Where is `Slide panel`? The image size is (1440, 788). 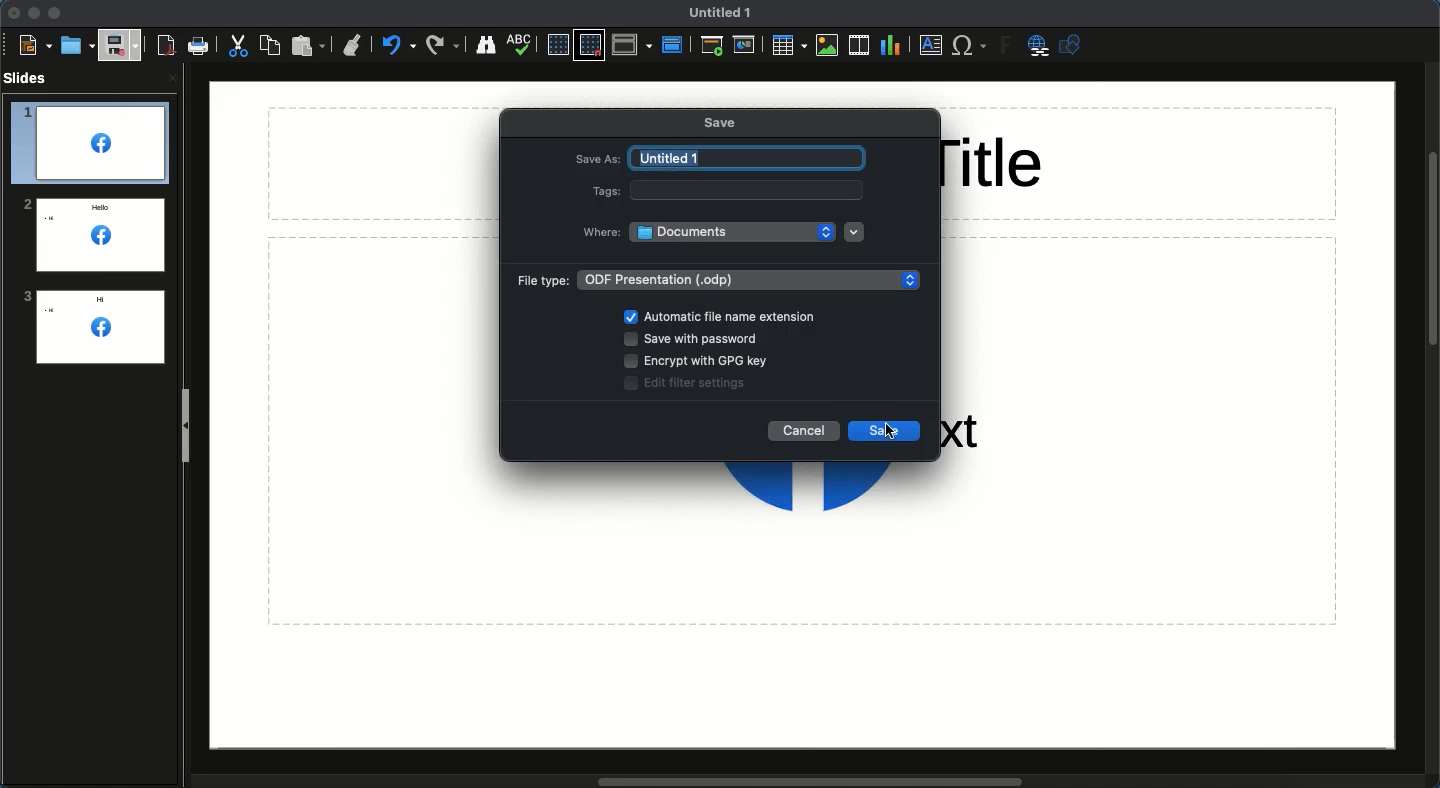 Slide panel is located at coordinates (186, 427).